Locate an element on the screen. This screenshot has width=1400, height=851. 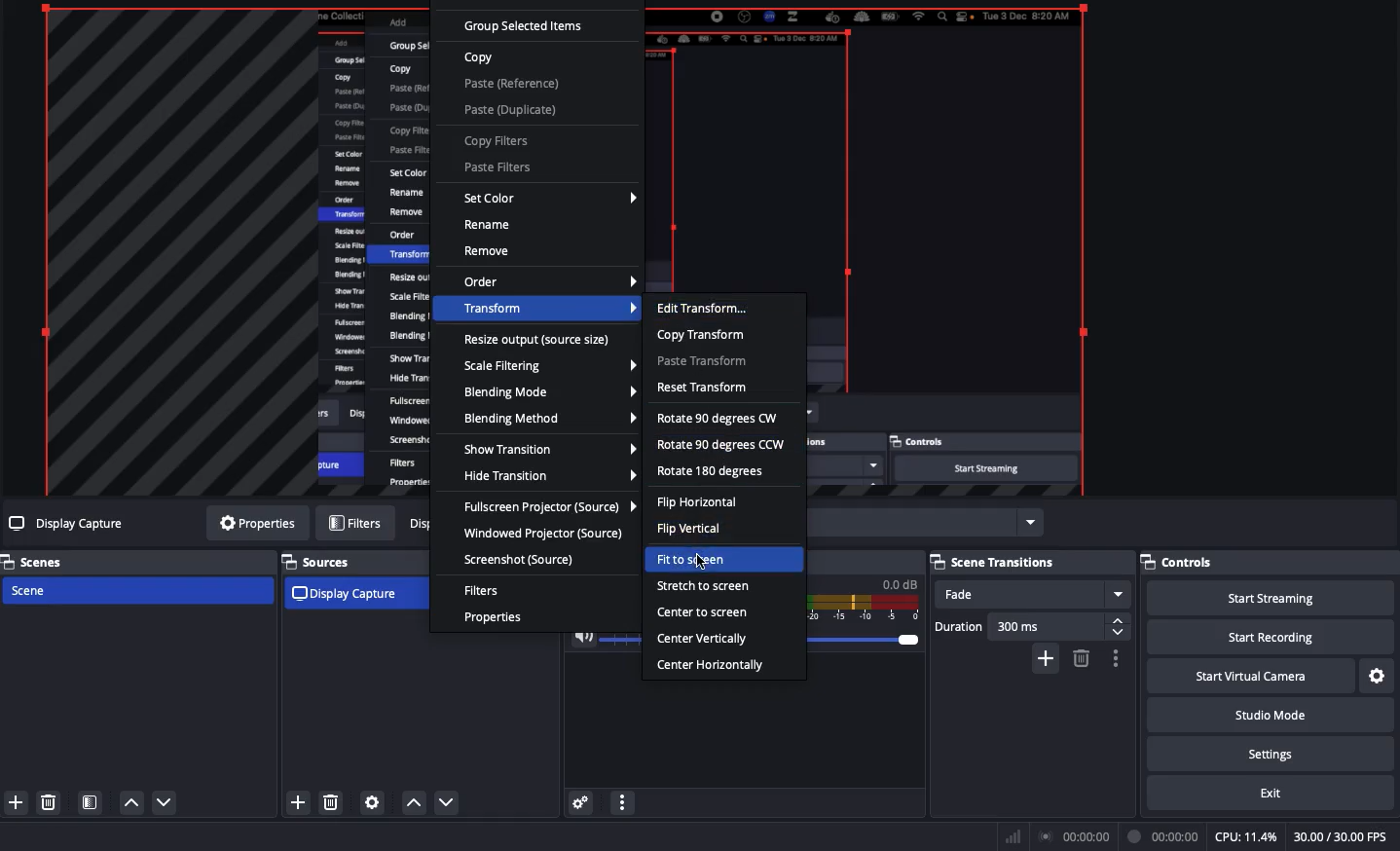
Settings is located at coordinates (1277, 756).